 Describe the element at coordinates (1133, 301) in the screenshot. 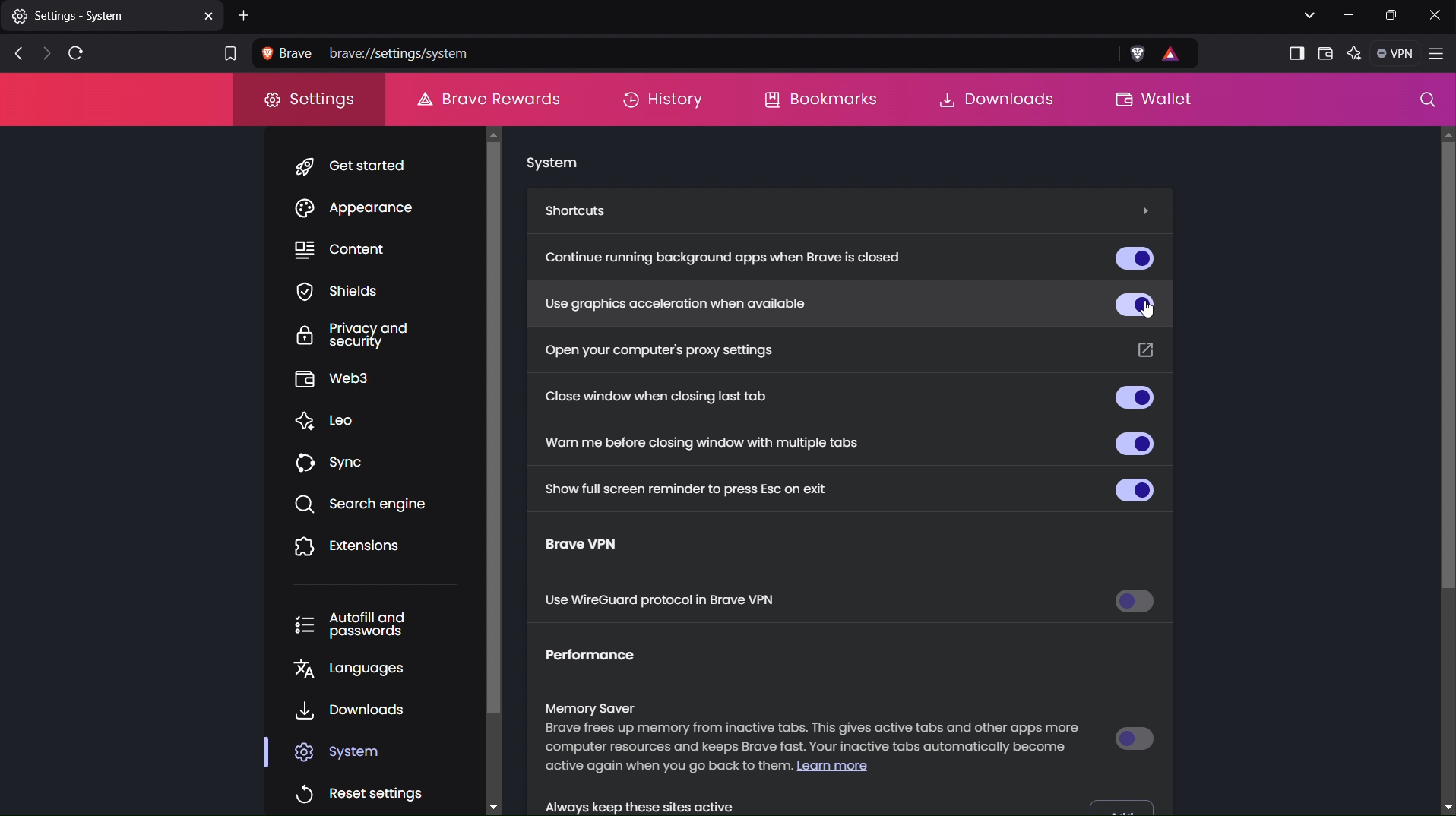

I see `Button (On)` at that location.